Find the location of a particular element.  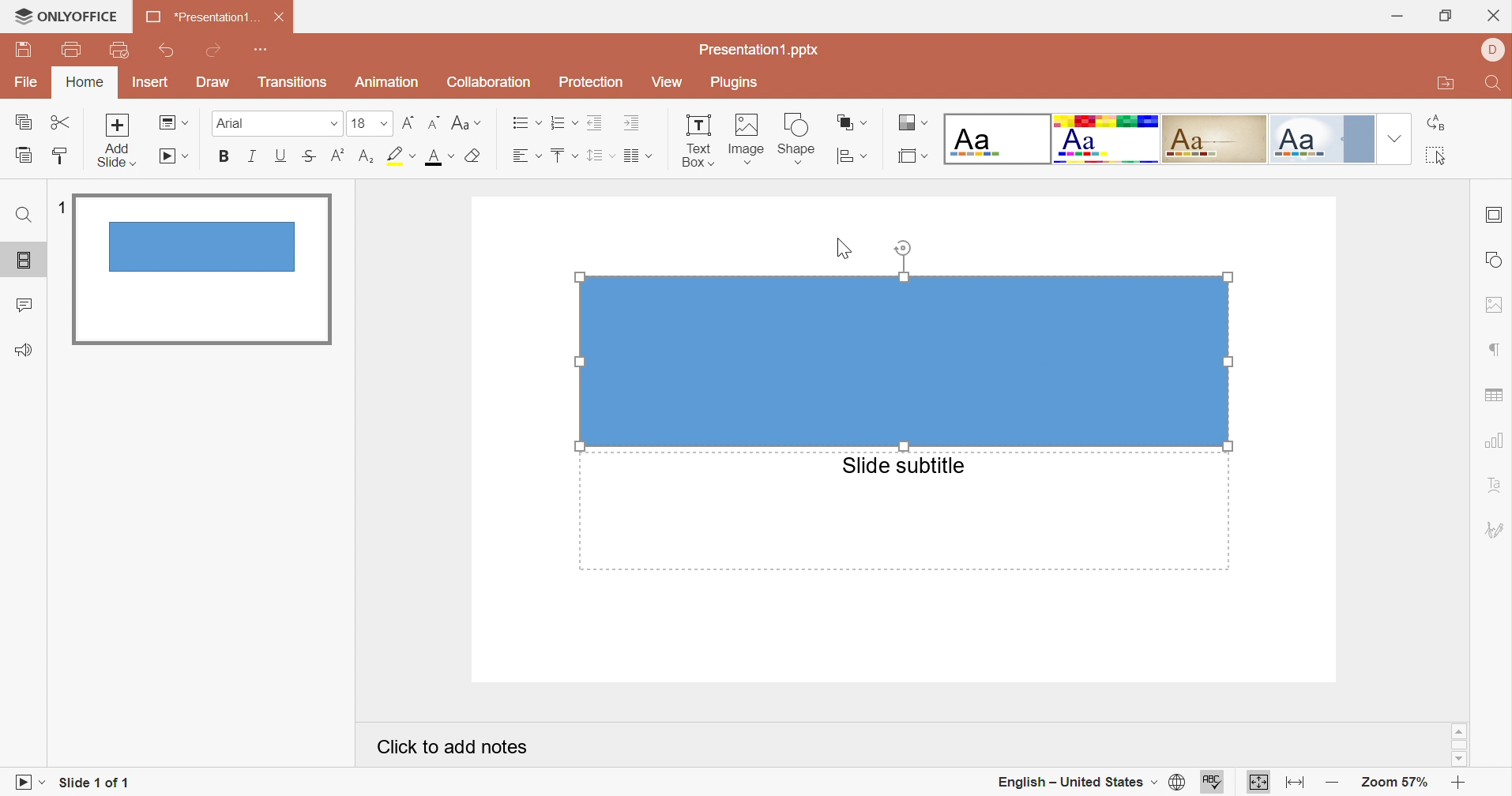

Subscript is located at coordinates (364, 161).